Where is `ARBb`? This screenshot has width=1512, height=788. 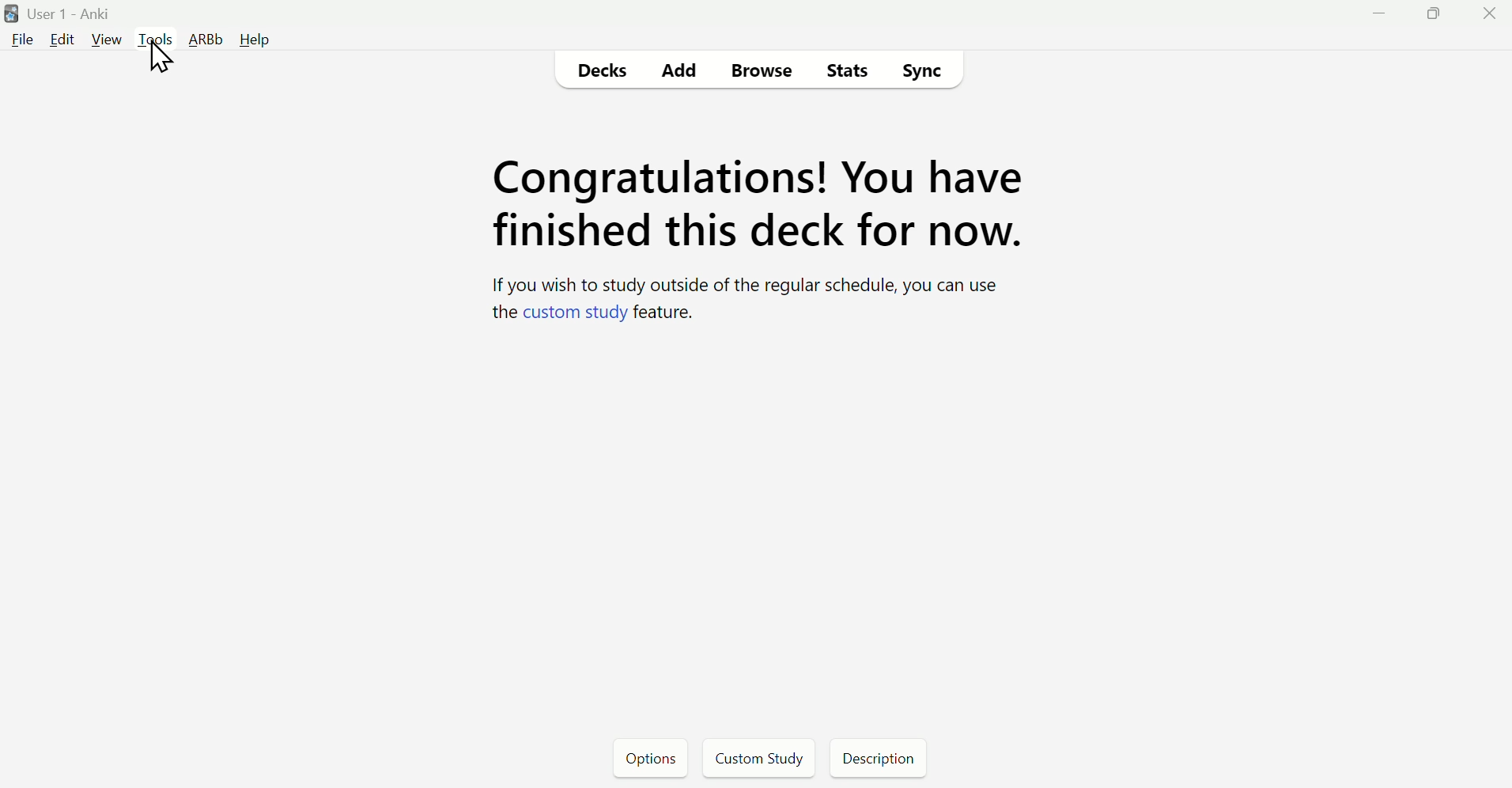
ARBb is located at coordinates (207, 40).